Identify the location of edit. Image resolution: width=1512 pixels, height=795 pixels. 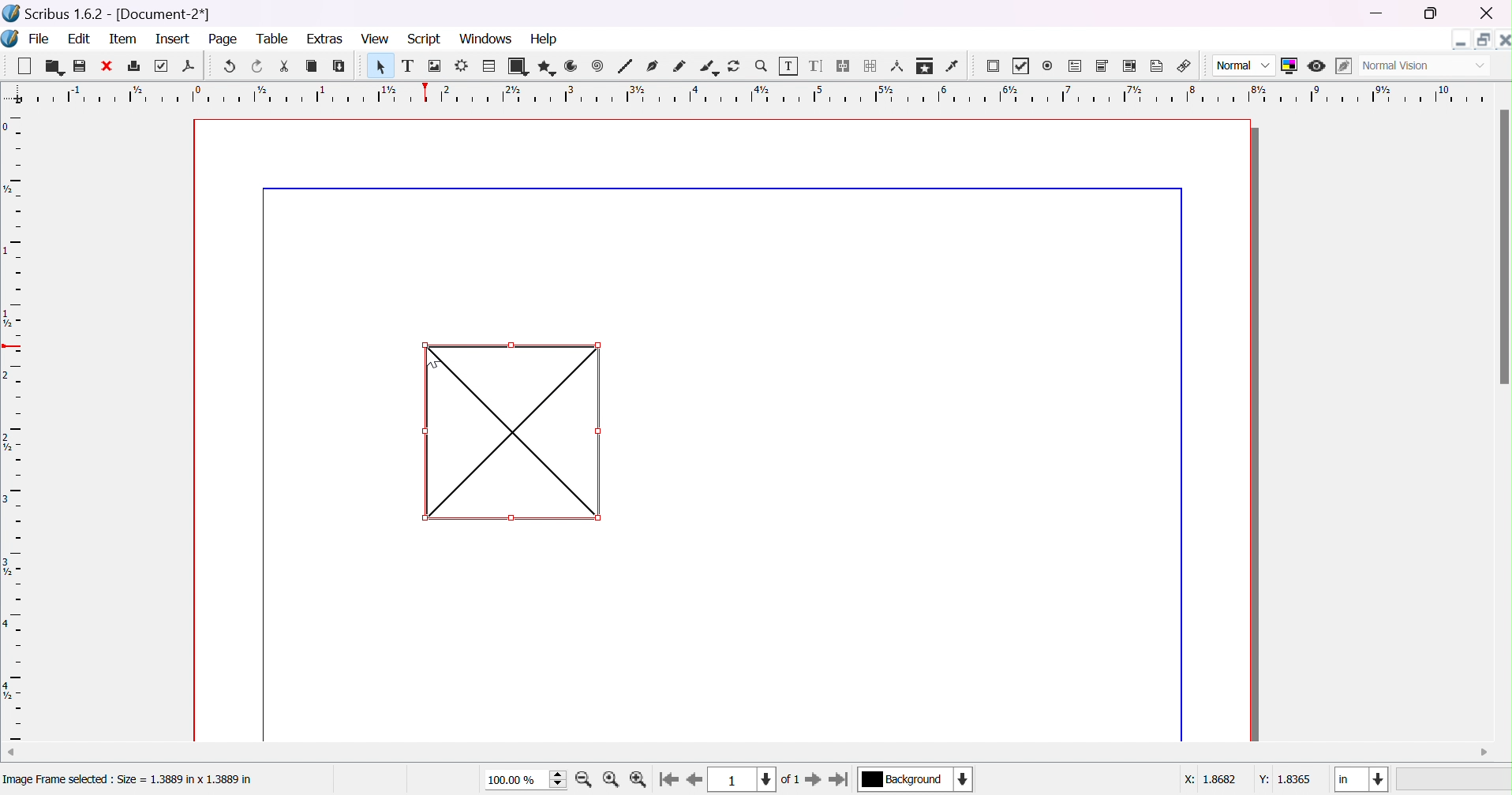
(79, 38).